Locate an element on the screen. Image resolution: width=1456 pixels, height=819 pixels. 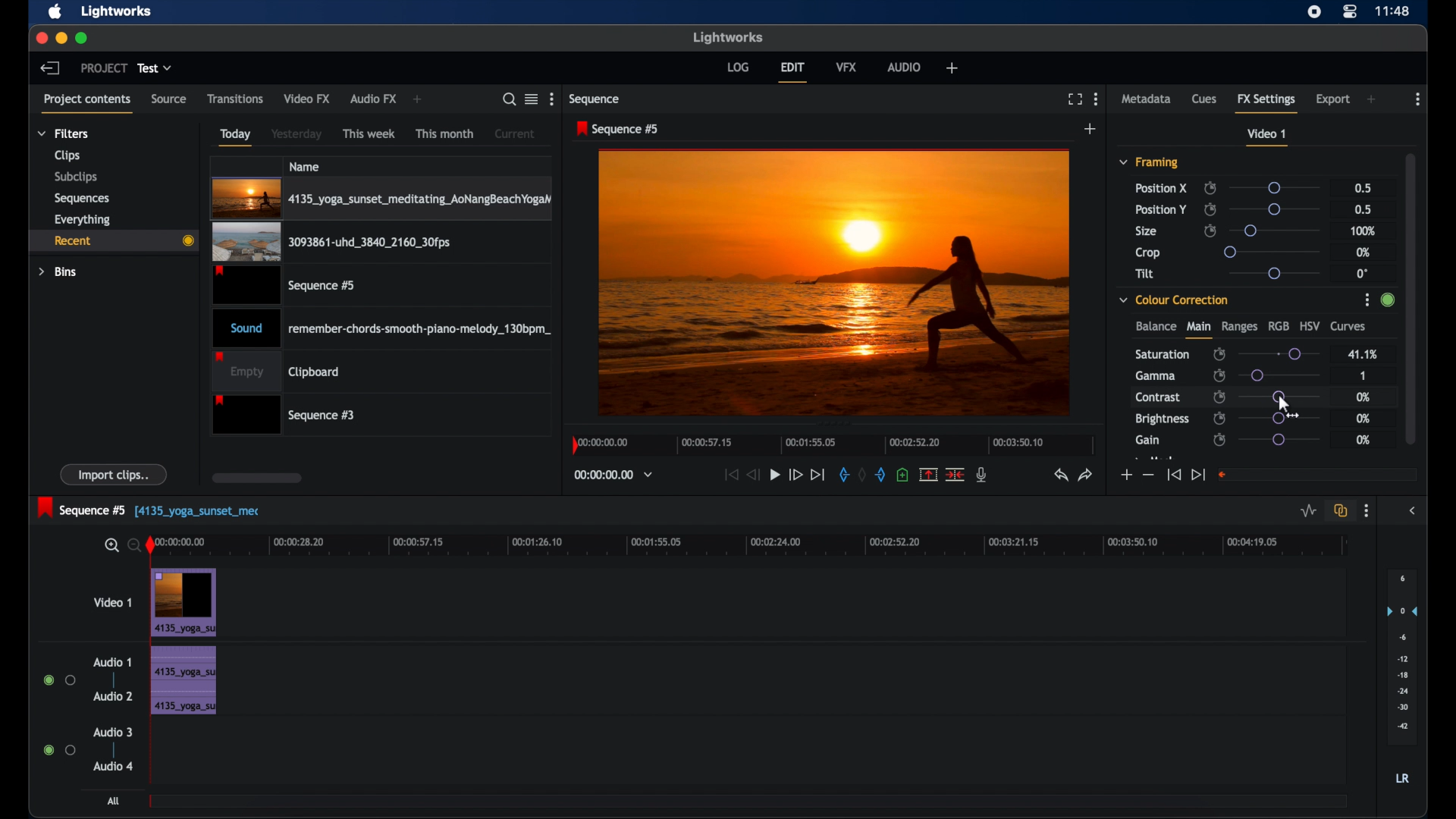
search is located at coordinates (510, 99).